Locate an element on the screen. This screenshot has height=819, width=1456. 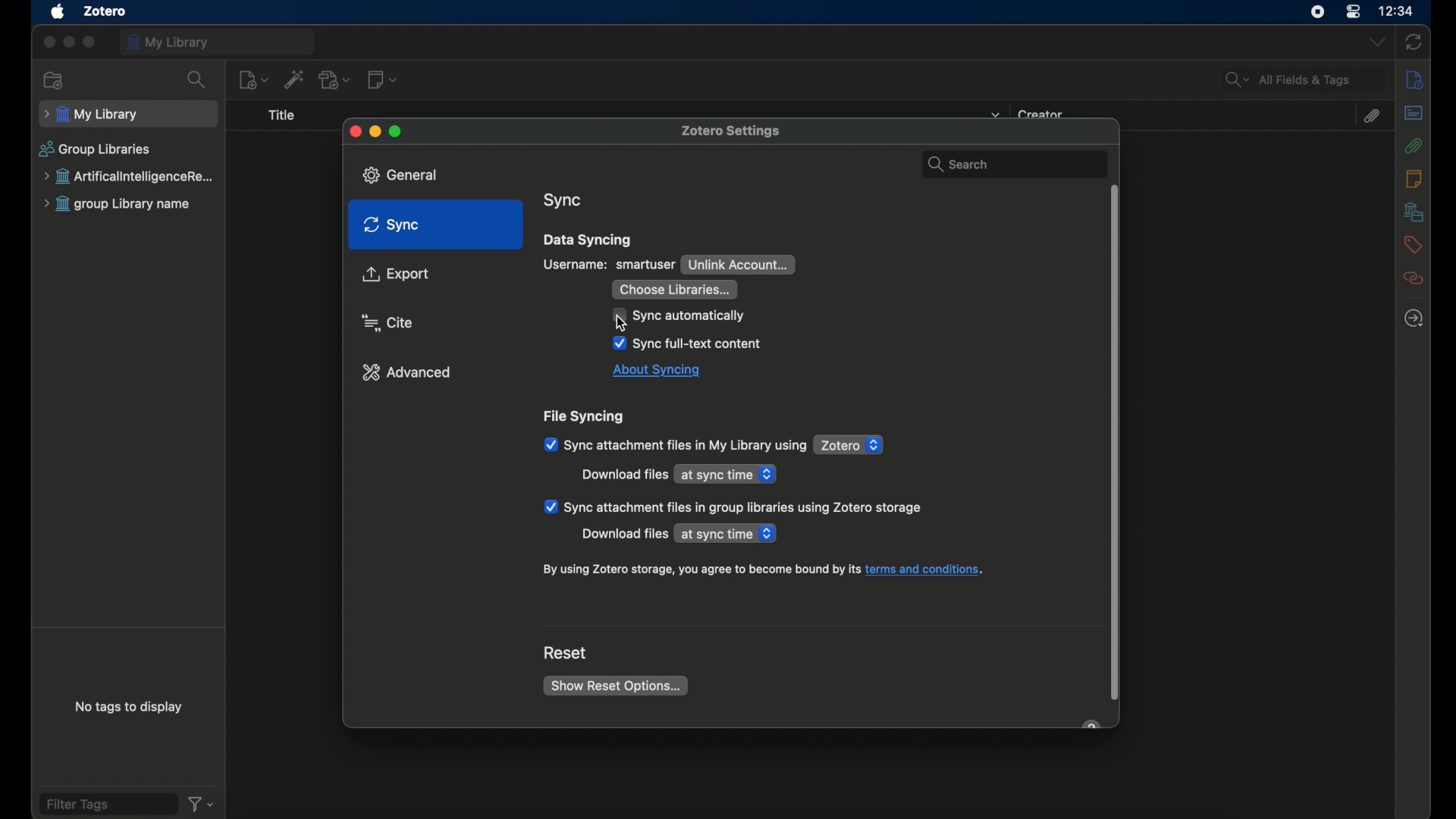
no tags to display is located at coordinates (127, 707).